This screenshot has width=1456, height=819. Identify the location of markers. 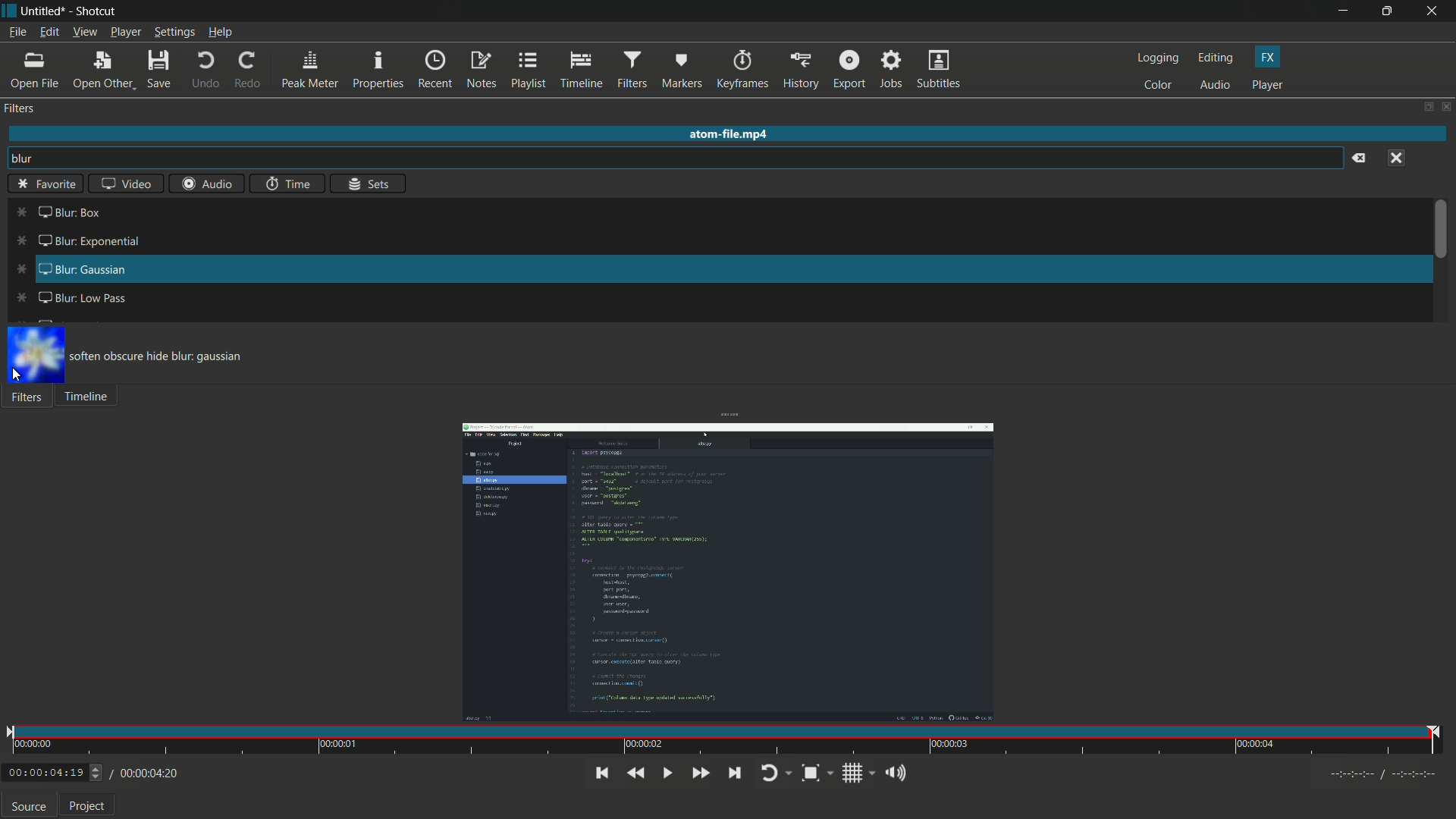
(680, 73).